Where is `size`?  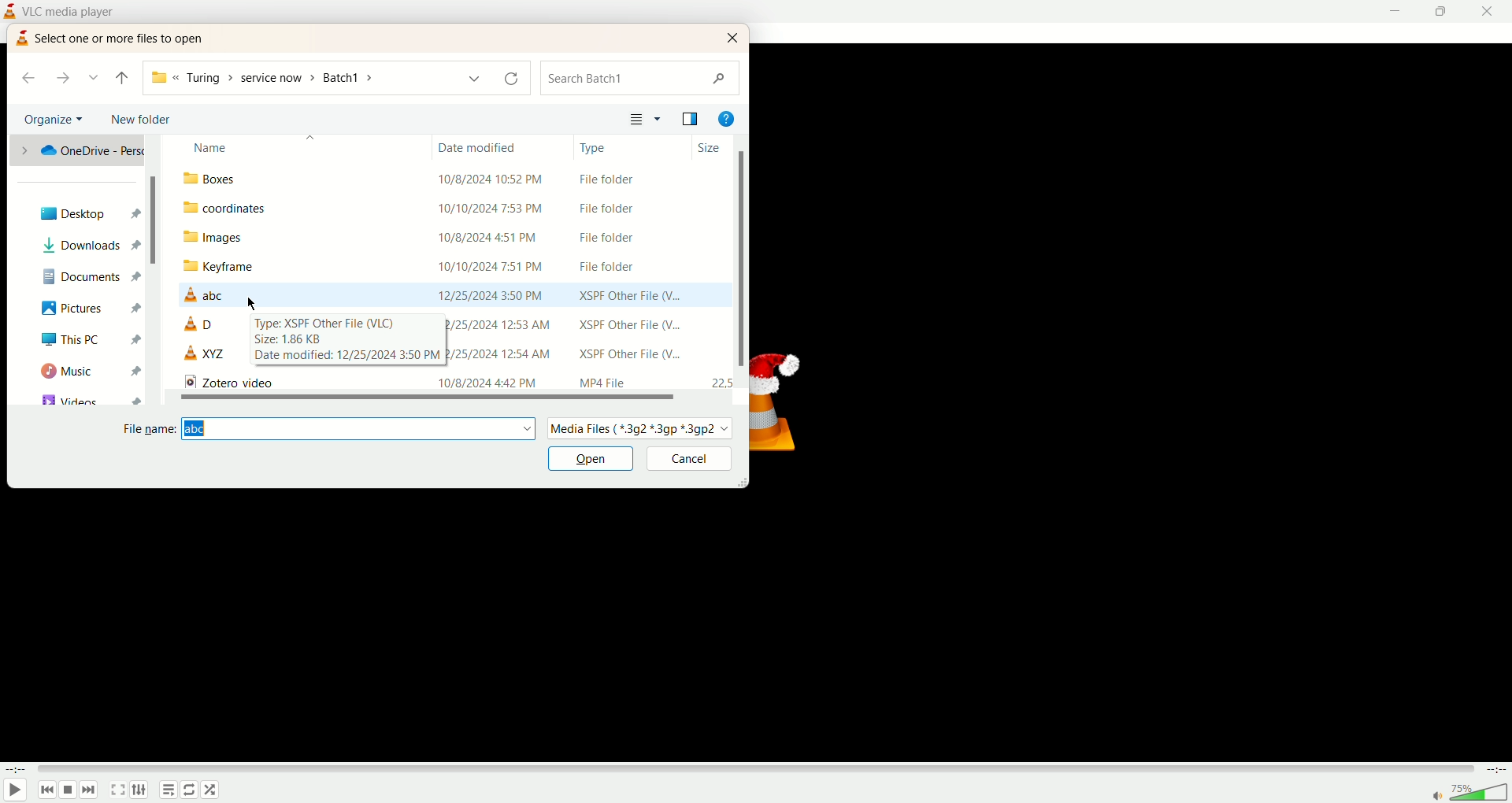
size is located at coordinates (710, 149).